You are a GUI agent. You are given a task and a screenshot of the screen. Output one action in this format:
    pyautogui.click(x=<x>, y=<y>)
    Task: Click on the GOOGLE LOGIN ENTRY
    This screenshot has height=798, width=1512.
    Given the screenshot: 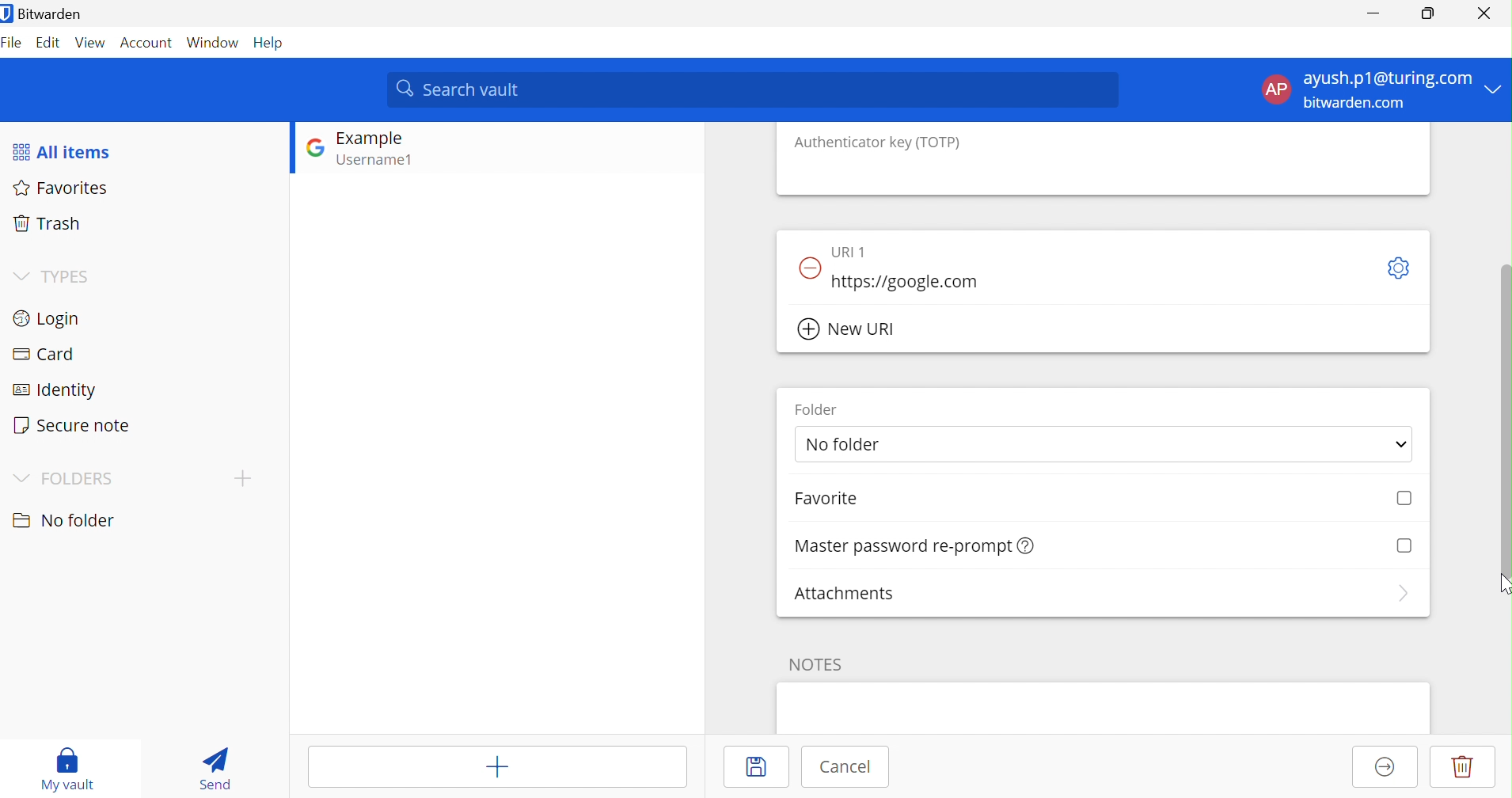 What is the action you would take?
    pyautogui.click(x=394, y=151)
    